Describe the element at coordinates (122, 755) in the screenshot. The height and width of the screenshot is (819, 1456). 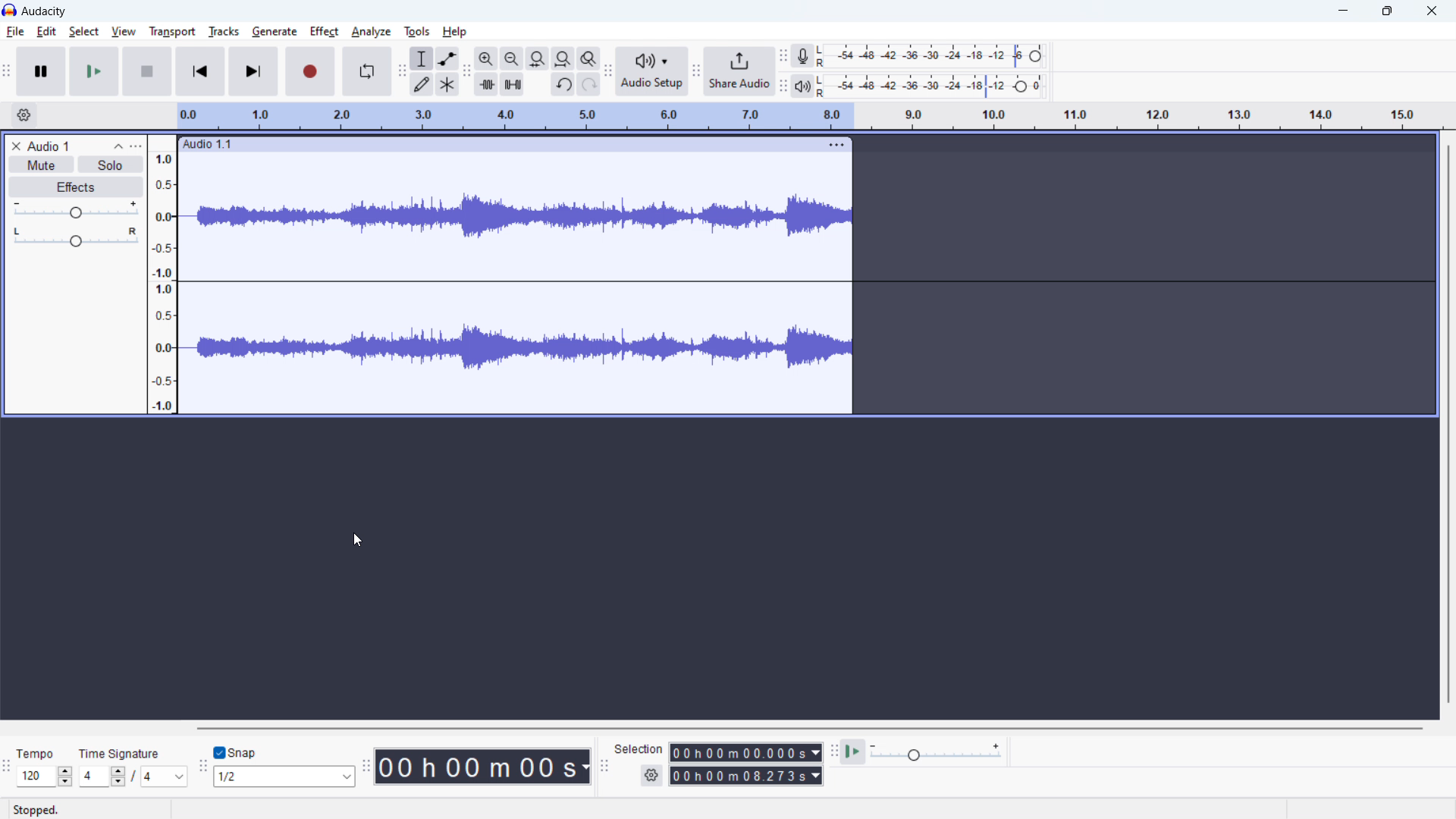
I see `TIme signature` at that location.